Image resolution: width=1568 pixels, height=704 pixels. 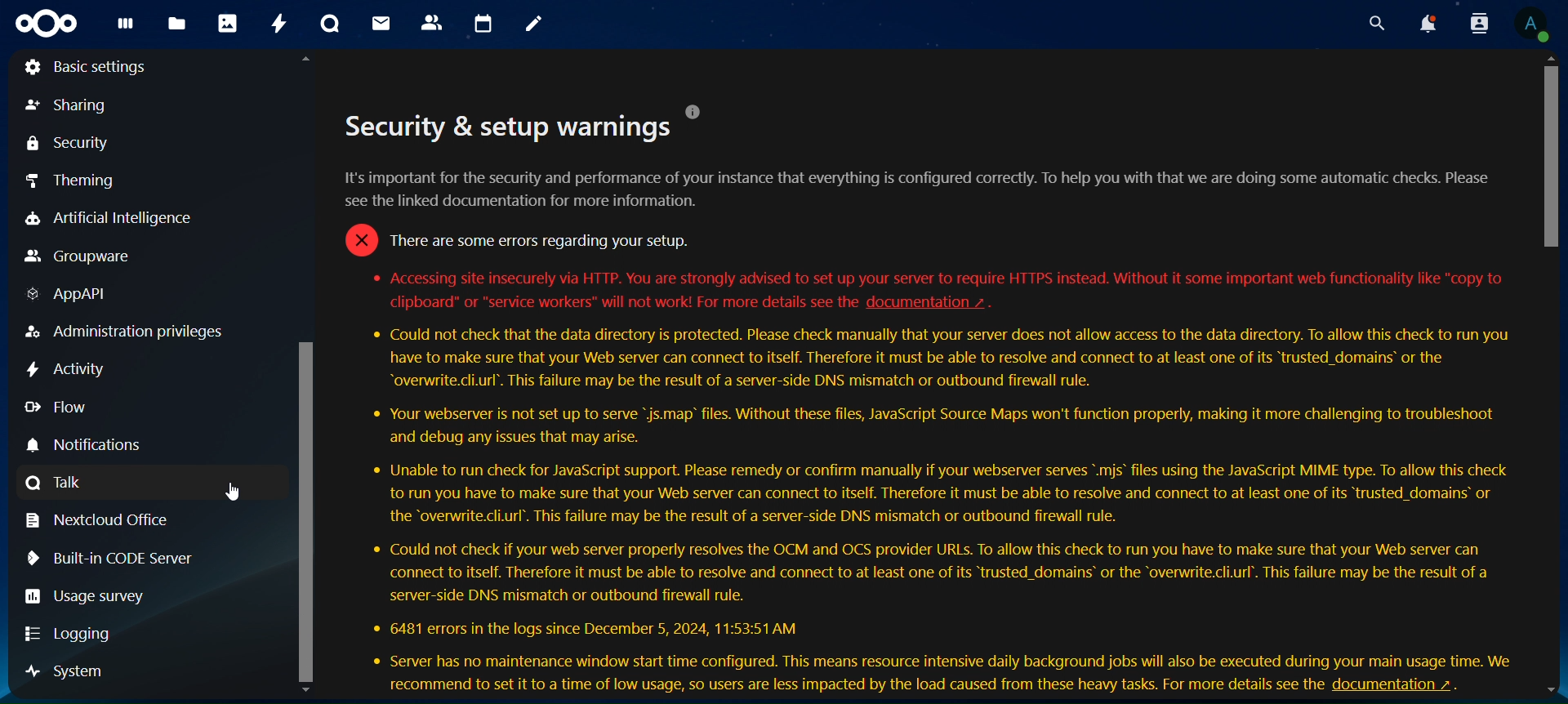 What do you see at coordinates (225, 488) in the screenshot?
I see `cursor` at bounding box center [225, 488].